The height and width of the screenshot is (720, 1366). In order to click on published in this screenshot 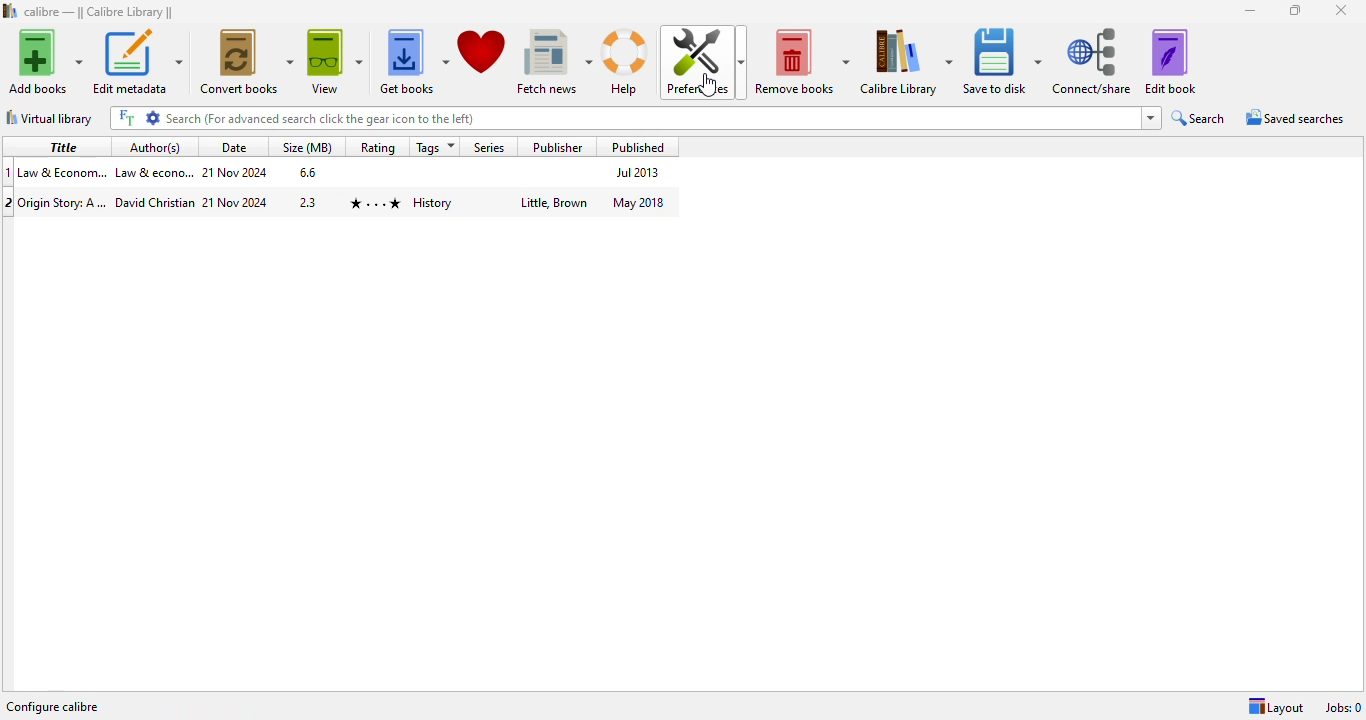, I will do `click(636, 146)`.